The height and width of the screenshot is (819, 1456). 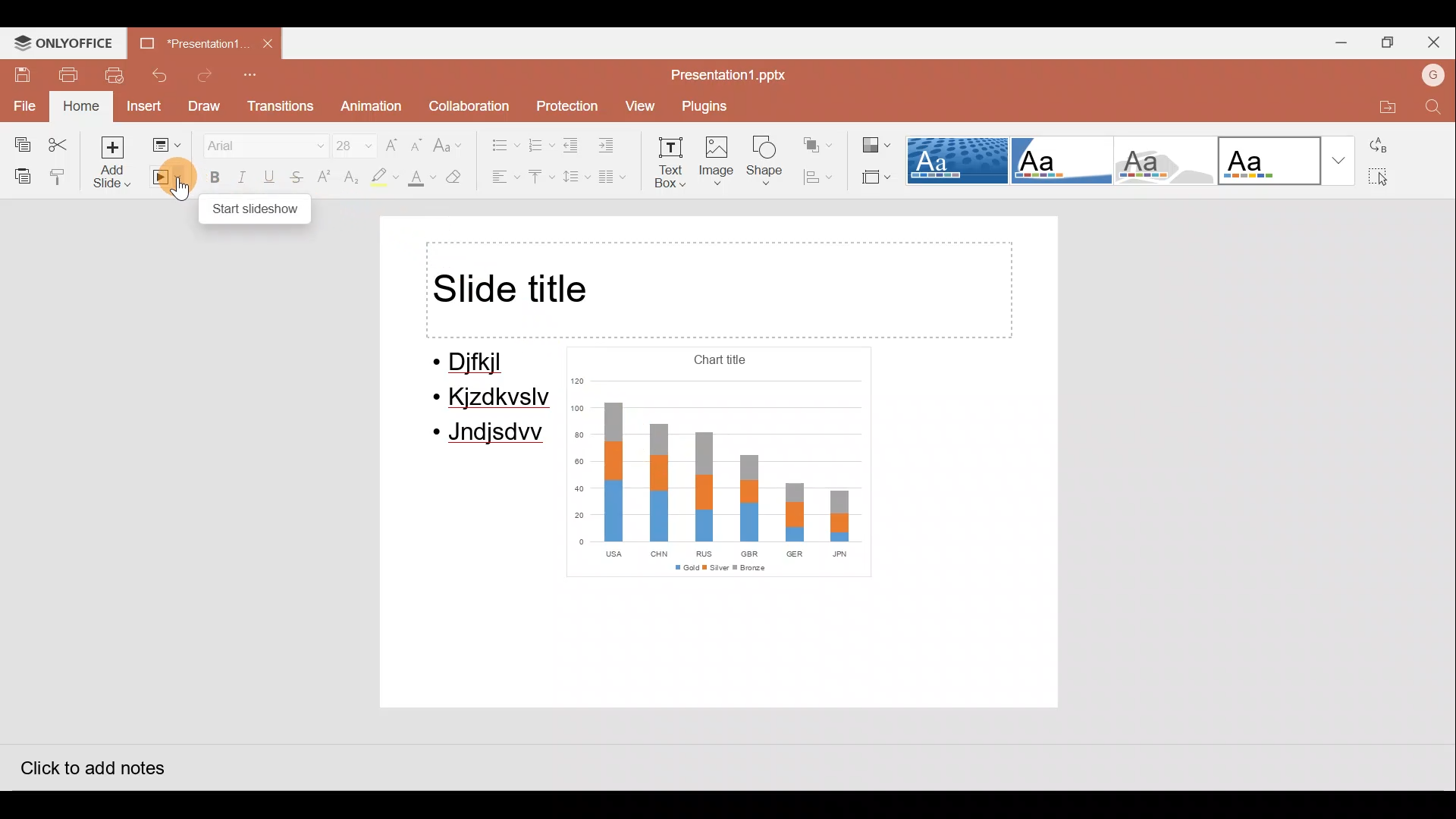 I want to click on Vertical align, so click(x=538, y=178).